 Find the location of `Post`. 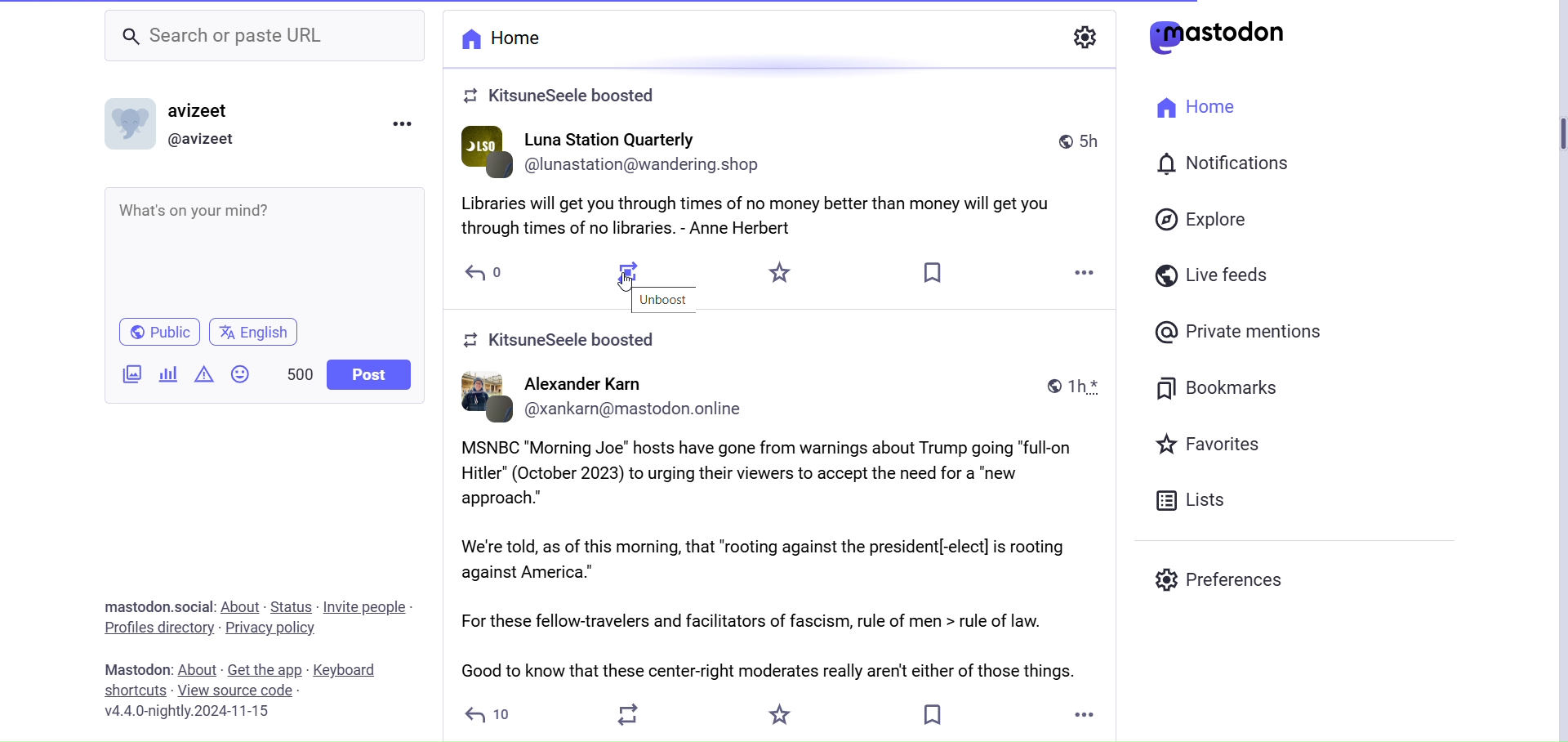

Post is located at coordinates (786, 527).